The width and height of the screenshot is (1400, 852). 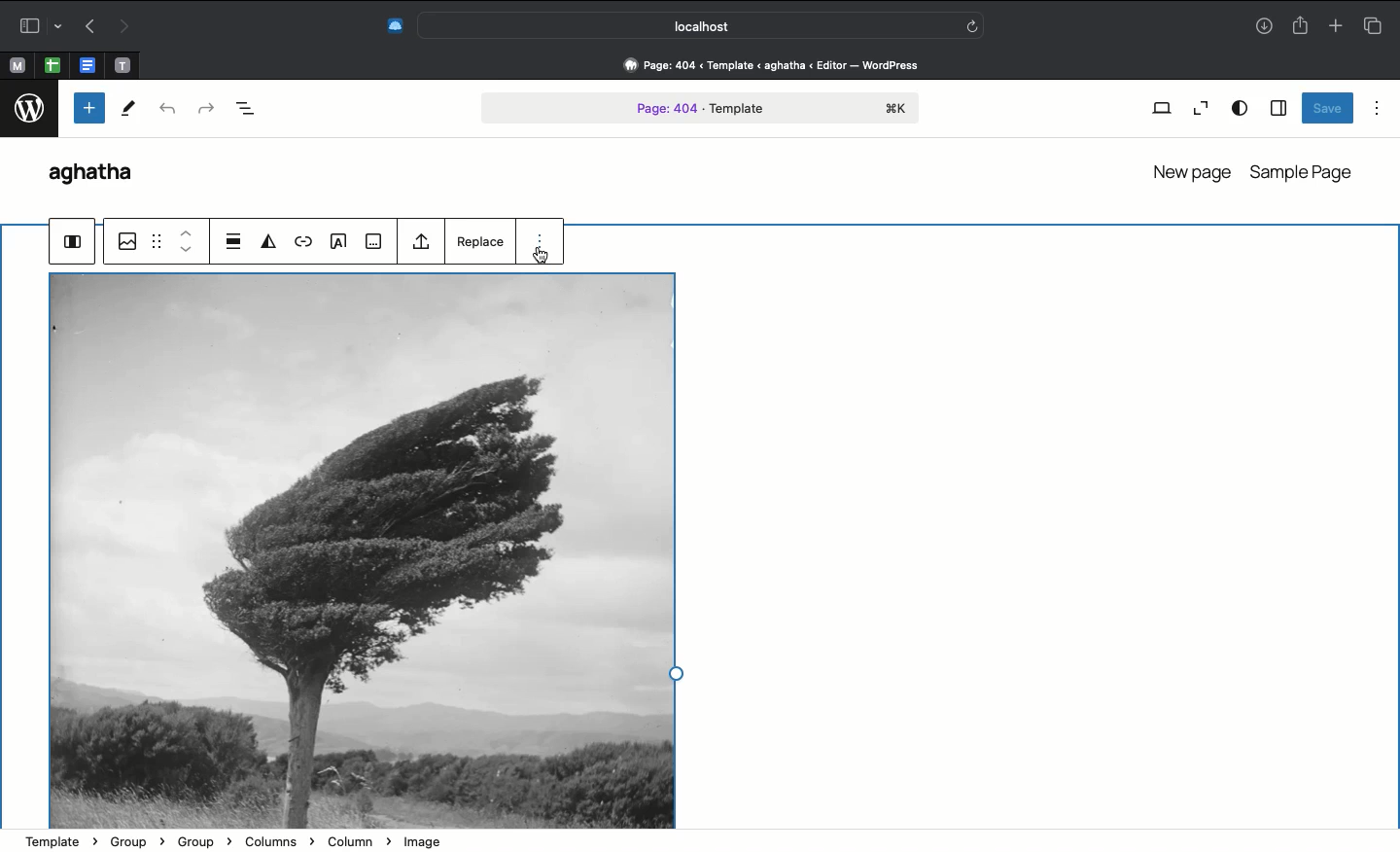 I want to click on Move up down, so click(x=189, y=243).